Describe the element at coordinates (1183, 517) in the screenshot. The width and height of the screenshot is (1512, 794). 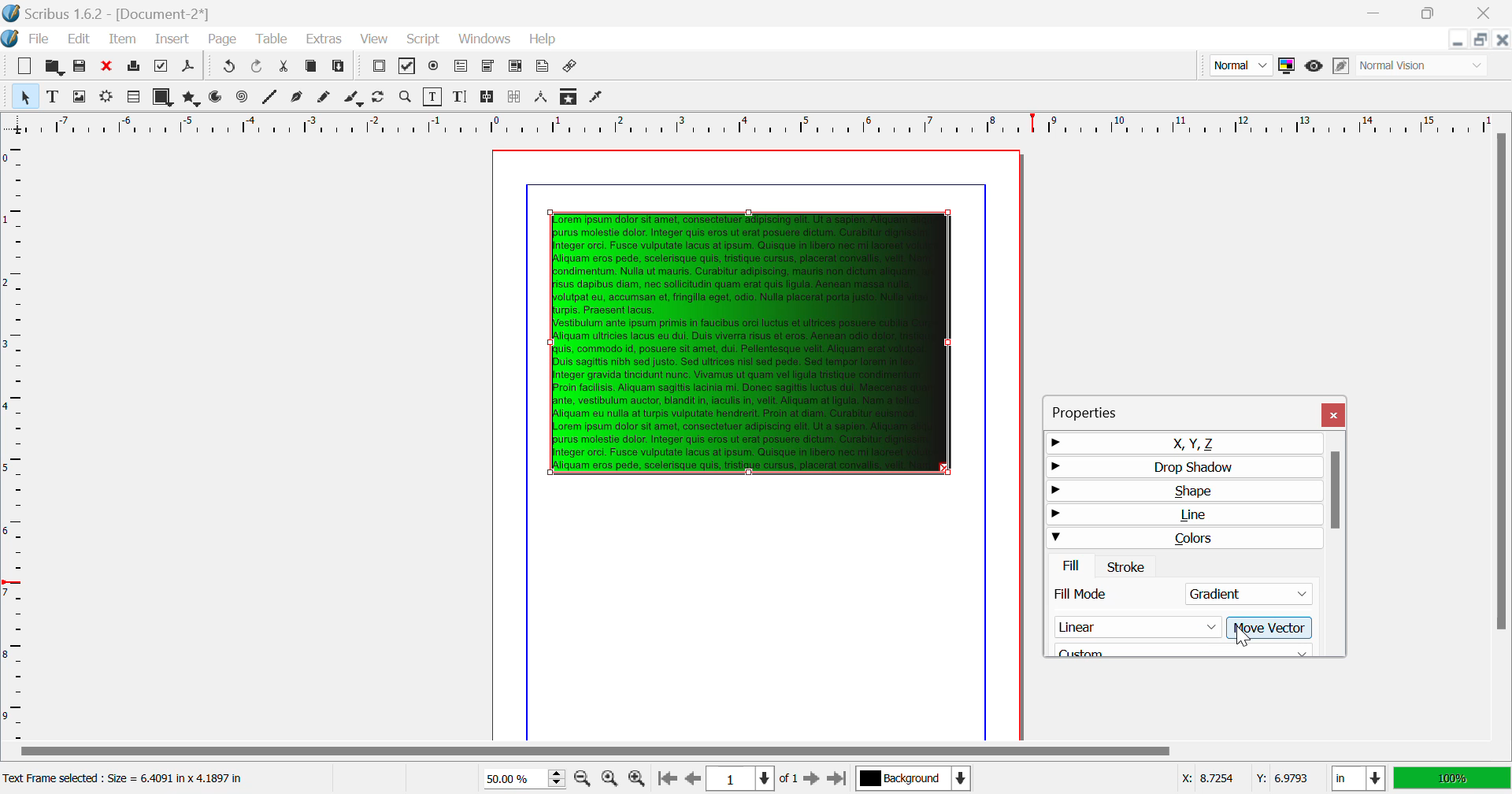
I see `Line` at that location.